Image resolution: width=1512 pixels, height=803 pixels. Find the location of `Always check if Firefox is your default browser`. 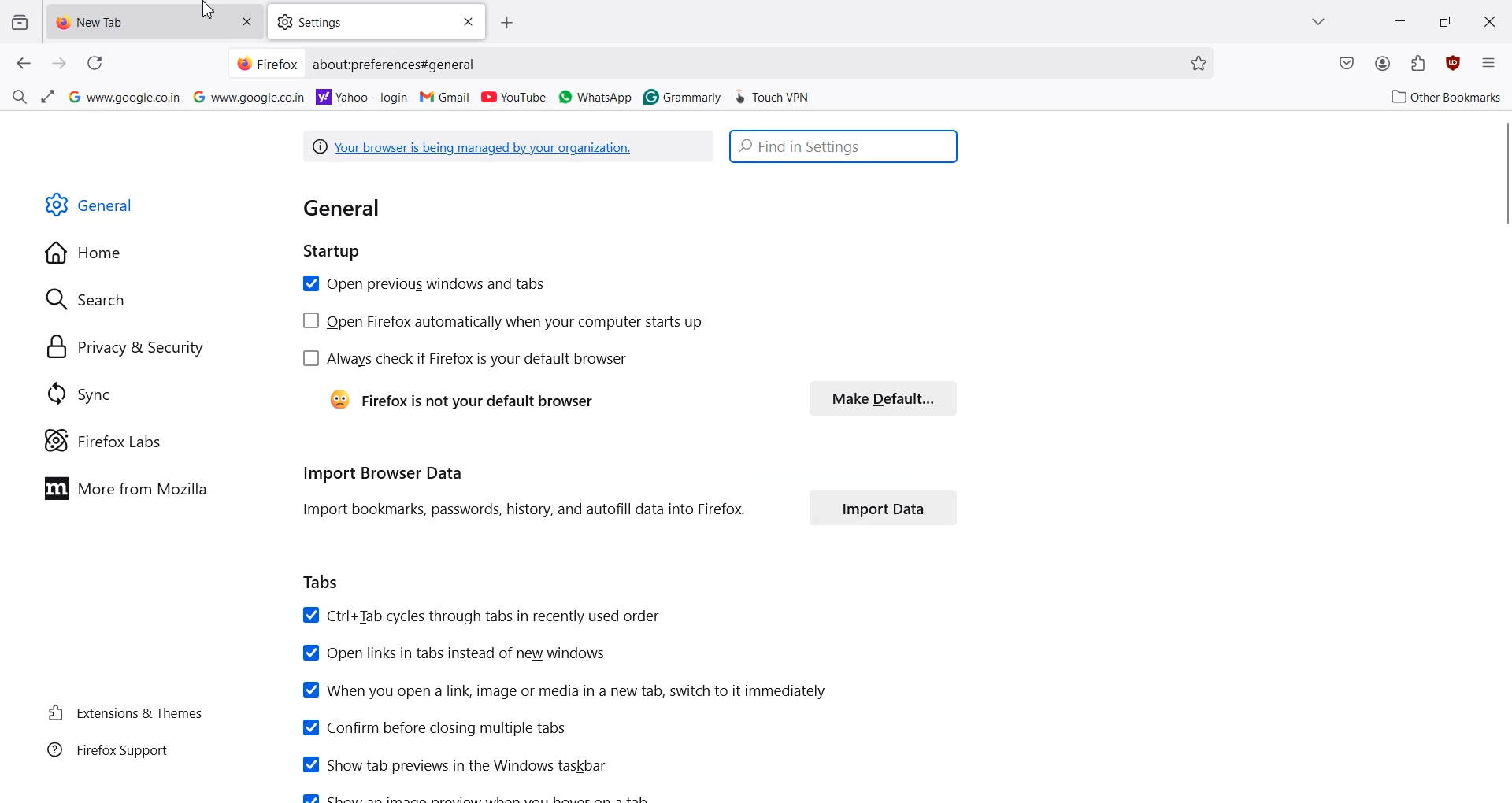

Always check if Firefox is your default browser is located at coordinates (465, 359).